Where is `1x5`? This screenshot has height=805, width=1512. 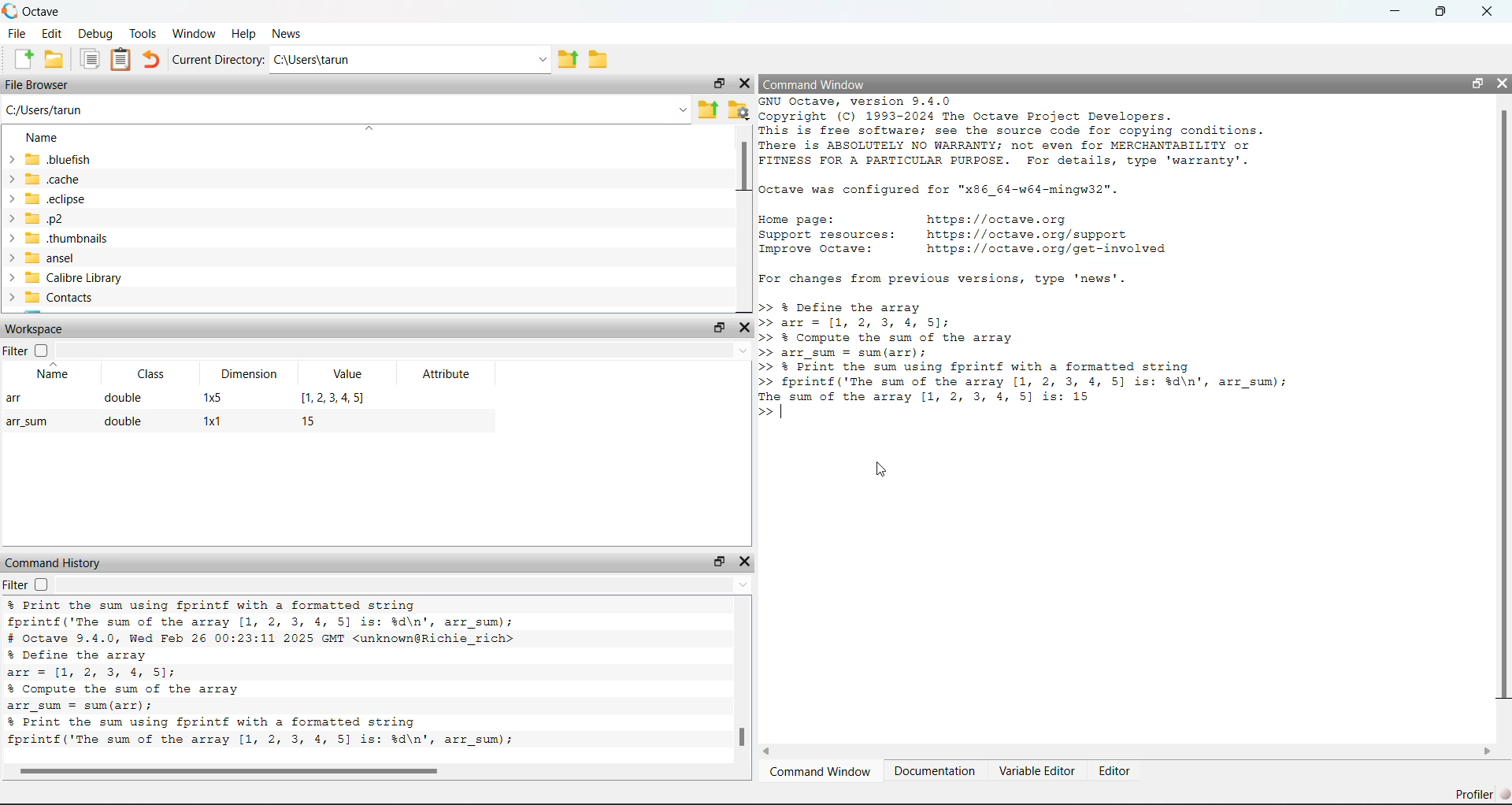 1x5 is located at coordinates (211, 399).